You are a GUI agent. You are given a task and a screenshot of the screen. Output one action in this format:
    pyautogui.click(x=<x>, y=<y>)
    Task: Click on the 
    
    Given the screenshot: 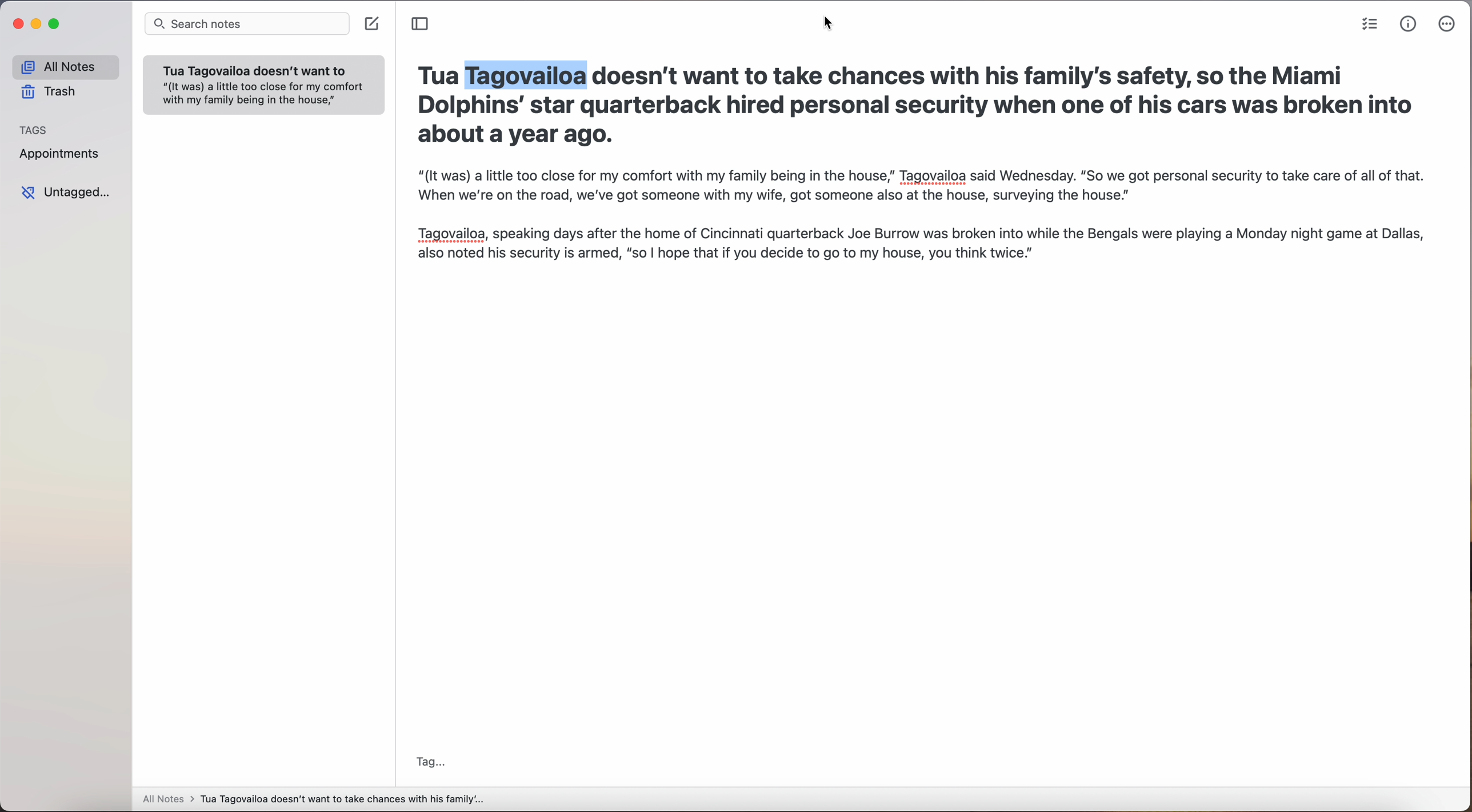 What is the action you would take?
    pyautogui.click(x=262, y=86)
    